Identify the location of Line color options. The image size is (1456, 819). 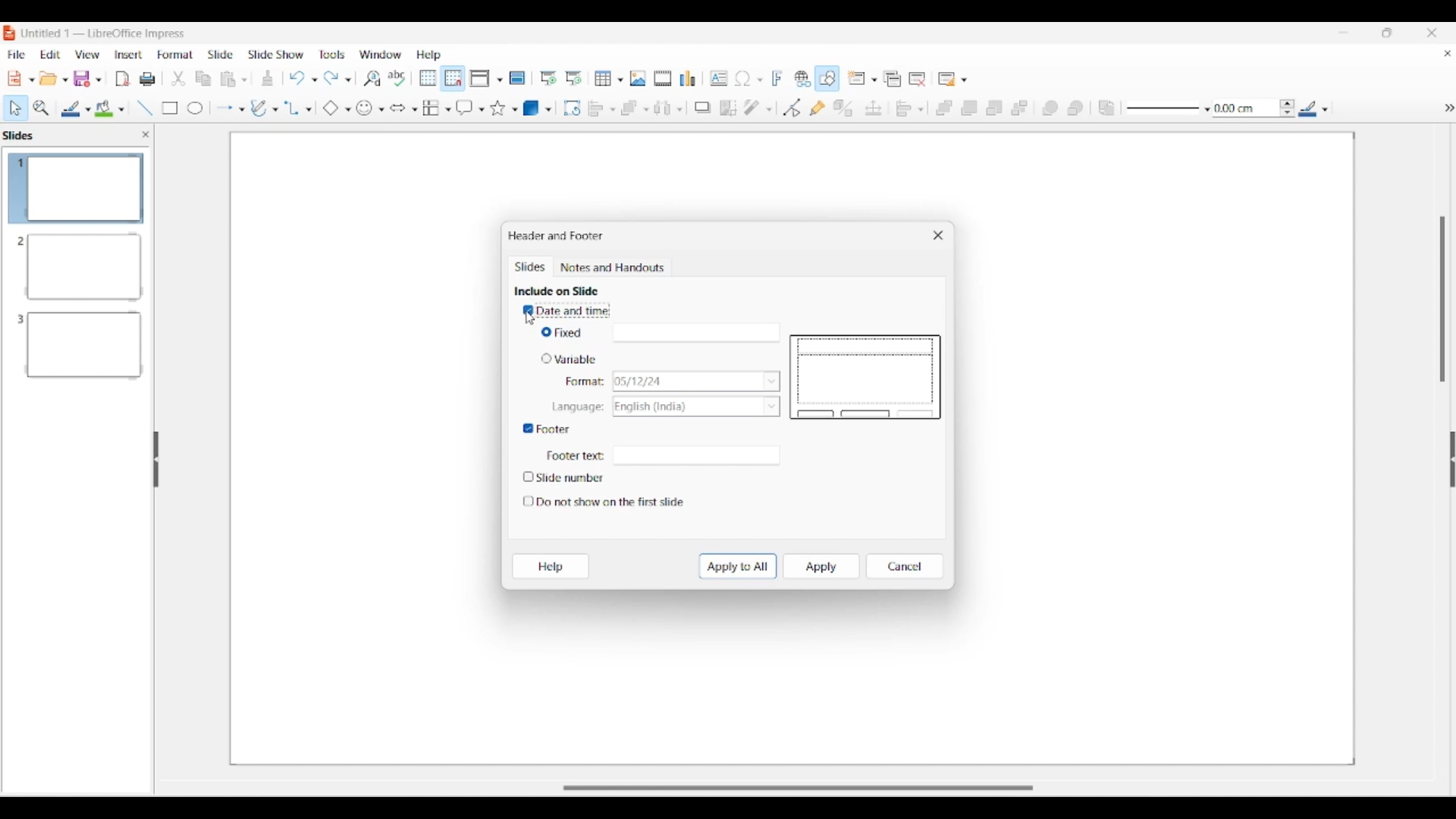
(1313, 108).